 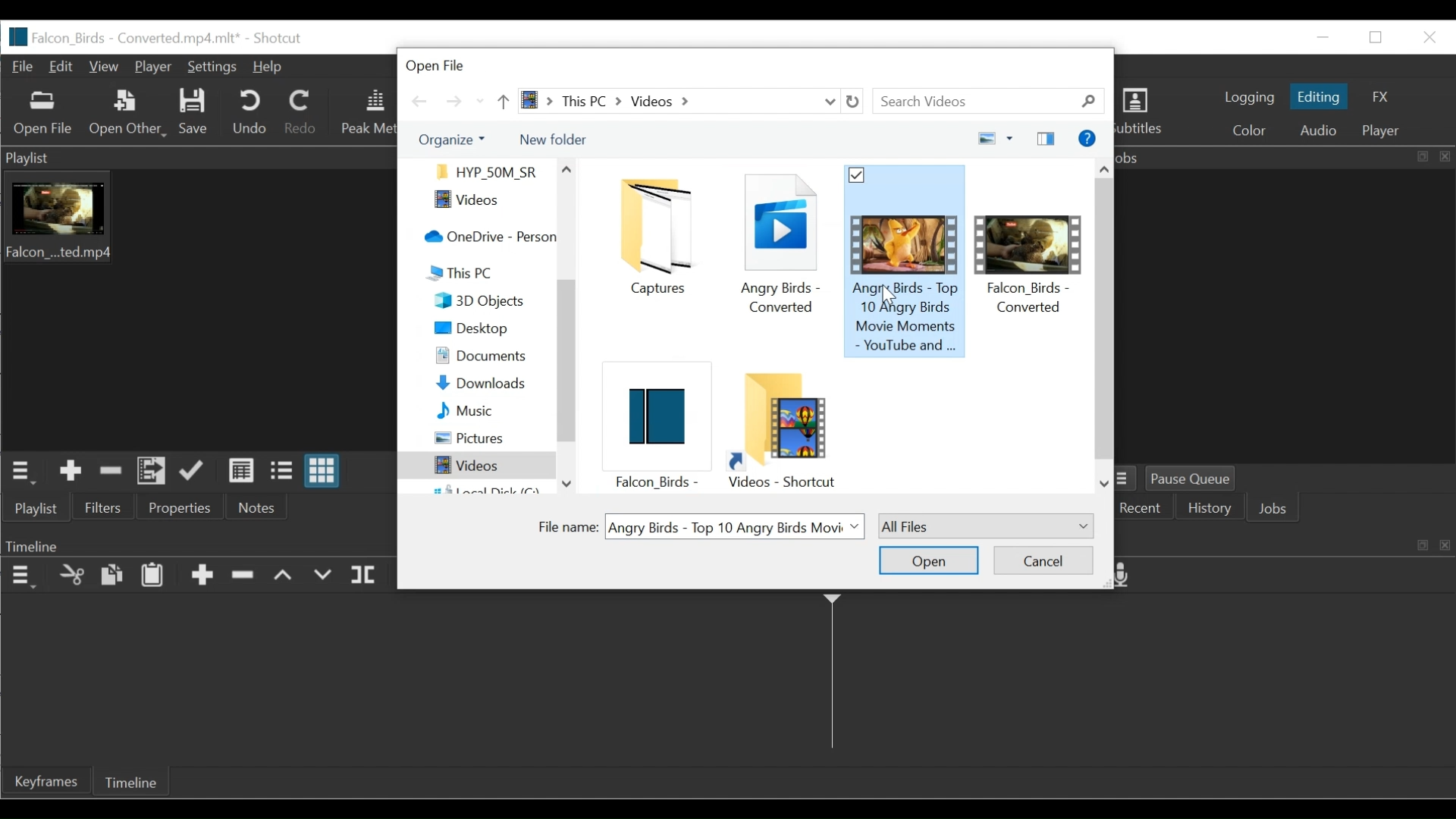 What do you see at coordinates (453, 102) in the screenshot?
I see `Go forward` at bounding box center [453, 102].